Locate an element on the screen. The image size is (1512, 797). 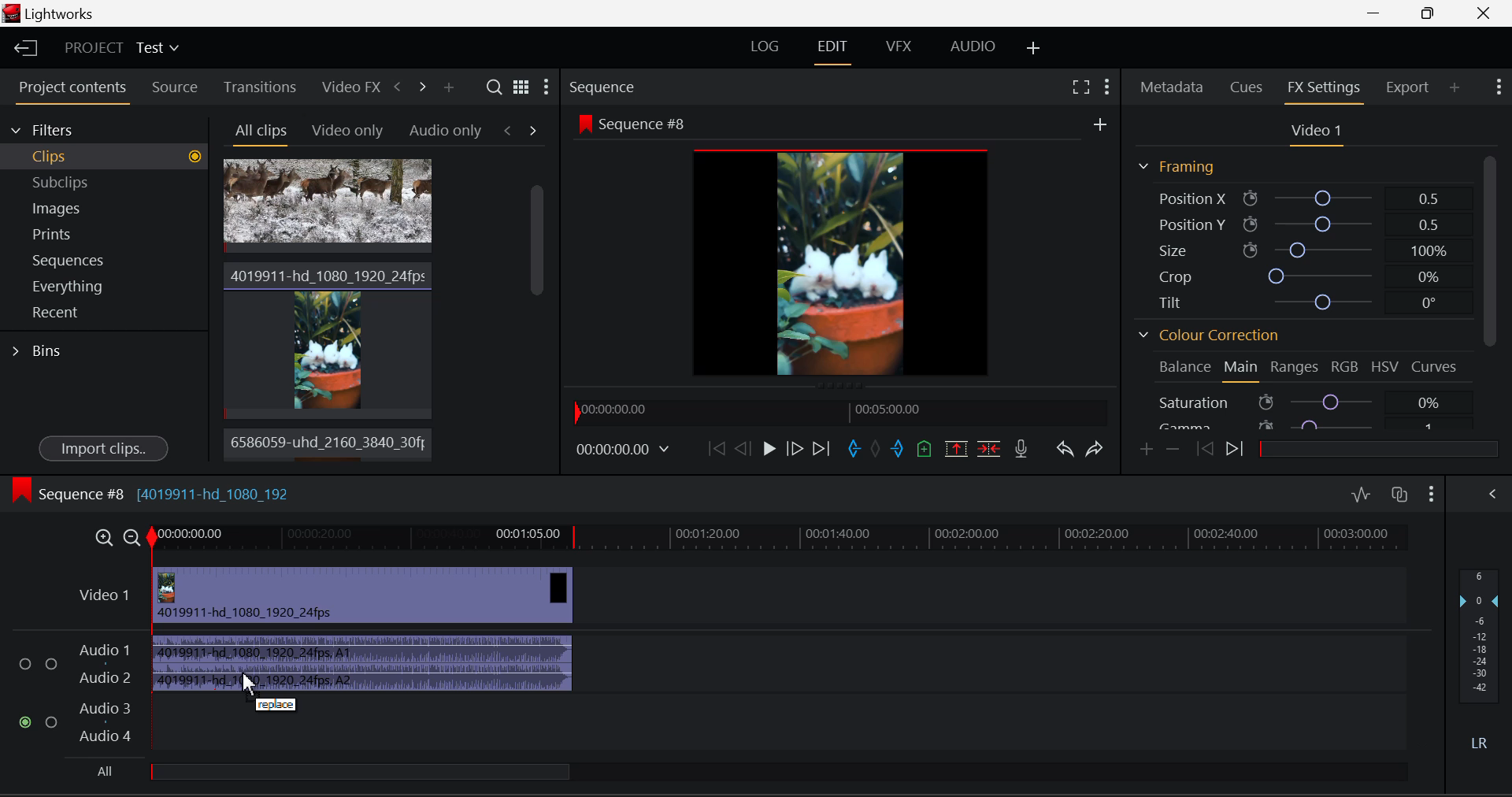
Source is located at coordinates (175, 89).